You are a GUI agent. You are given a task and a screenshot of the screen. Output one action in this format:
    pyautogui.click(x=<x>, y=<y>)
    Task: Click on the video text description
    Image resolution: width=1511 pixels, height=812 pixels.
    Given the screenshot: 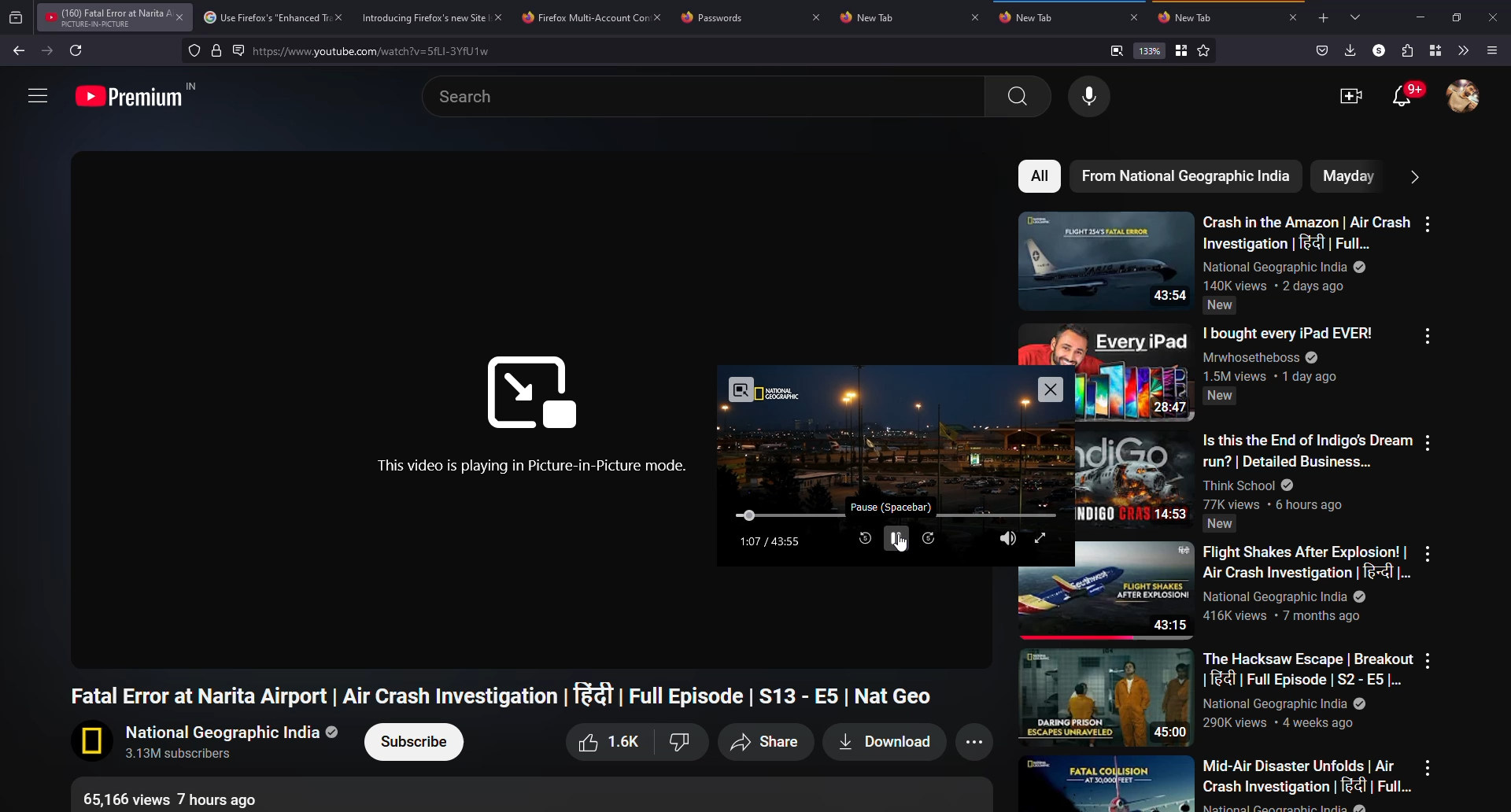 What is the action you would take?
    pyautogui.click(x=1287, y=354)
    